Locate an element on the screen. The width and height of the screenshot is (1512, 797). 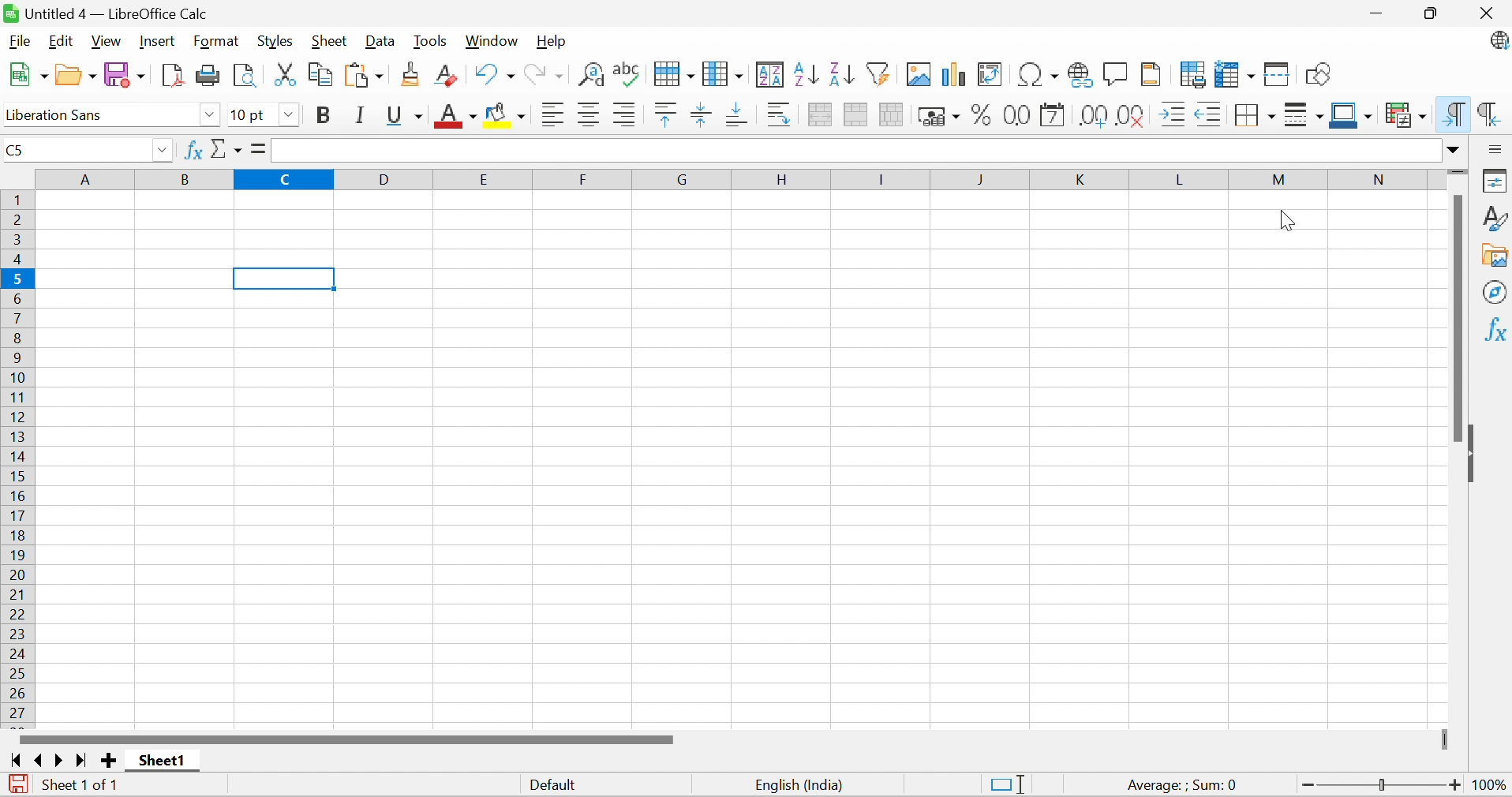
Sot ascending is located at coordinates (807, 73).